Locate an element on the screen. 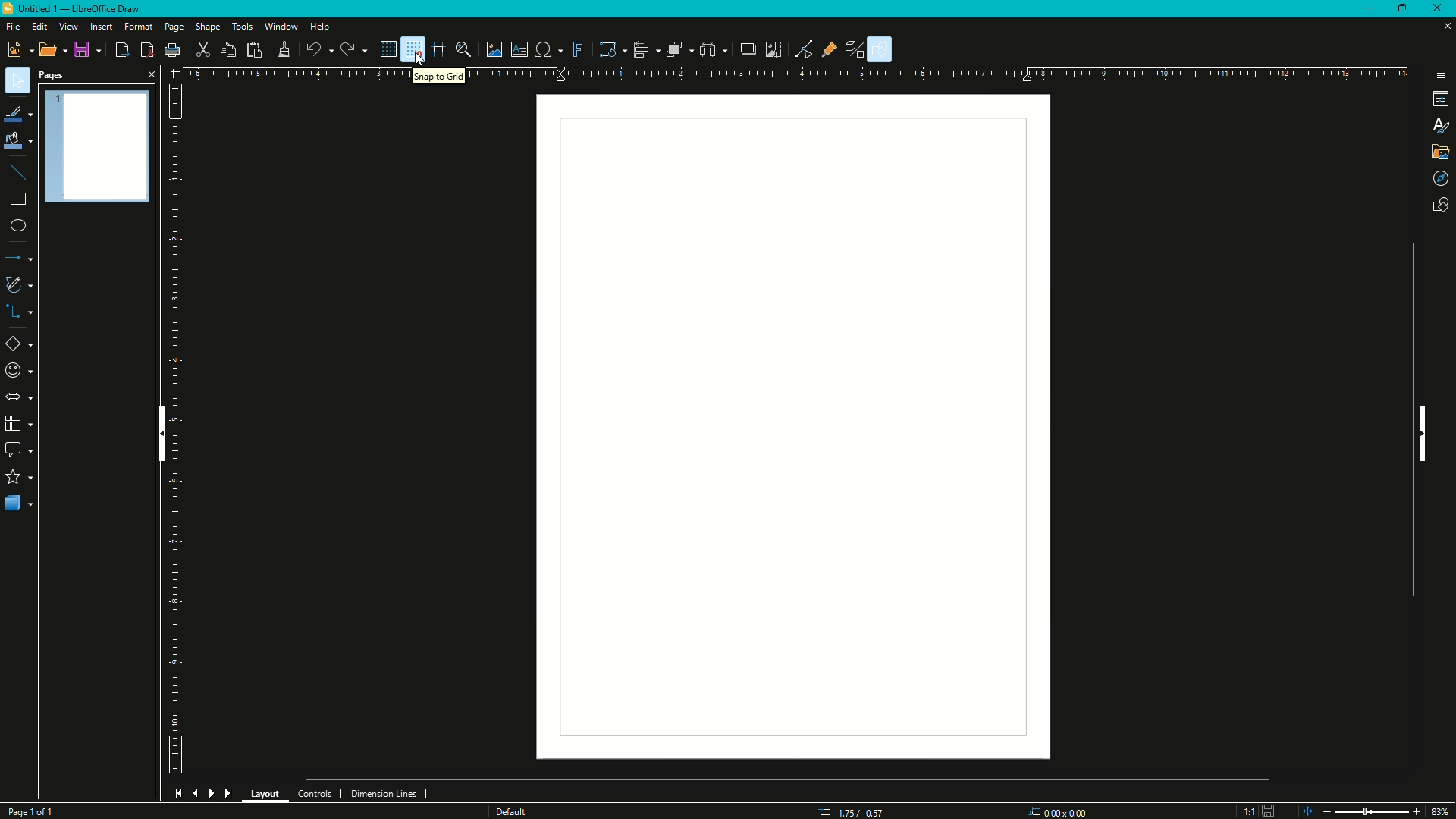 The image size is (1456, 819). Font is located at coordinates (1439, 125).